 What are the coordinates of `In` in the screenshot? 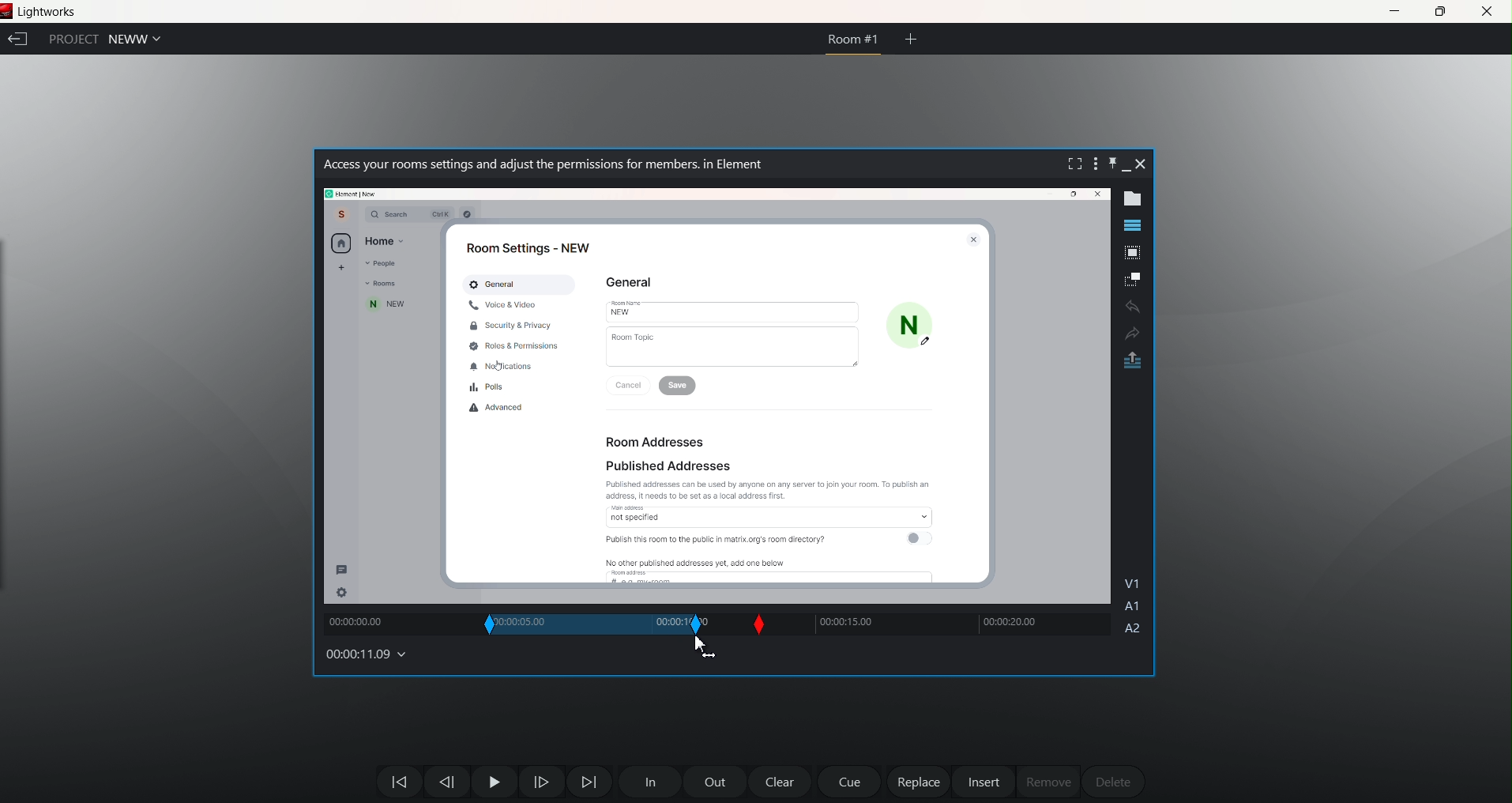 It's located at (649, 780).